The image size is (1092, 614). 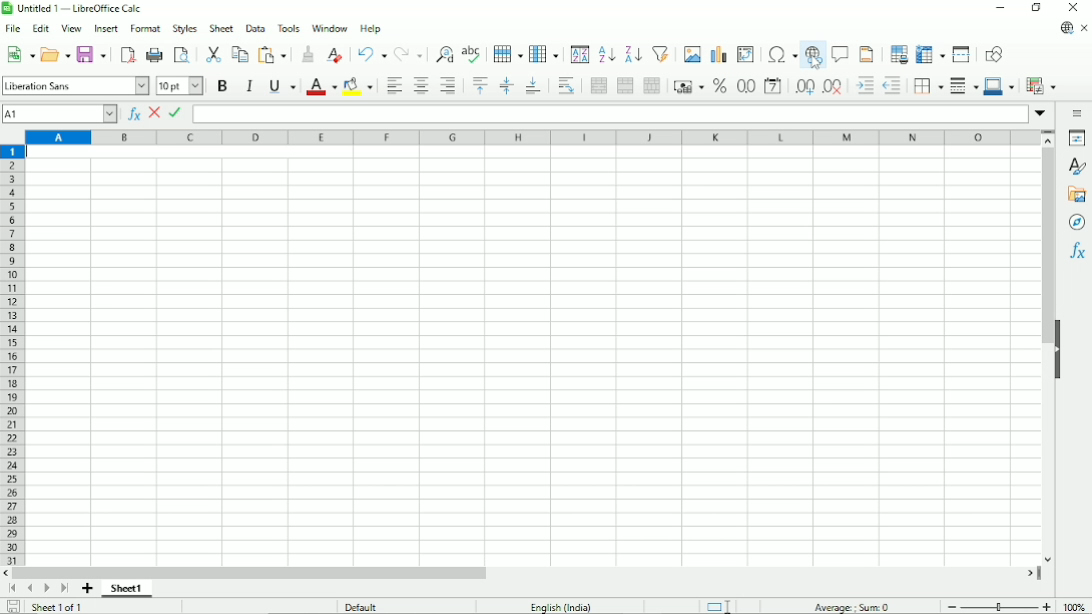 I want to click on Horizontal scrollbar, so click(x=249, y=572).